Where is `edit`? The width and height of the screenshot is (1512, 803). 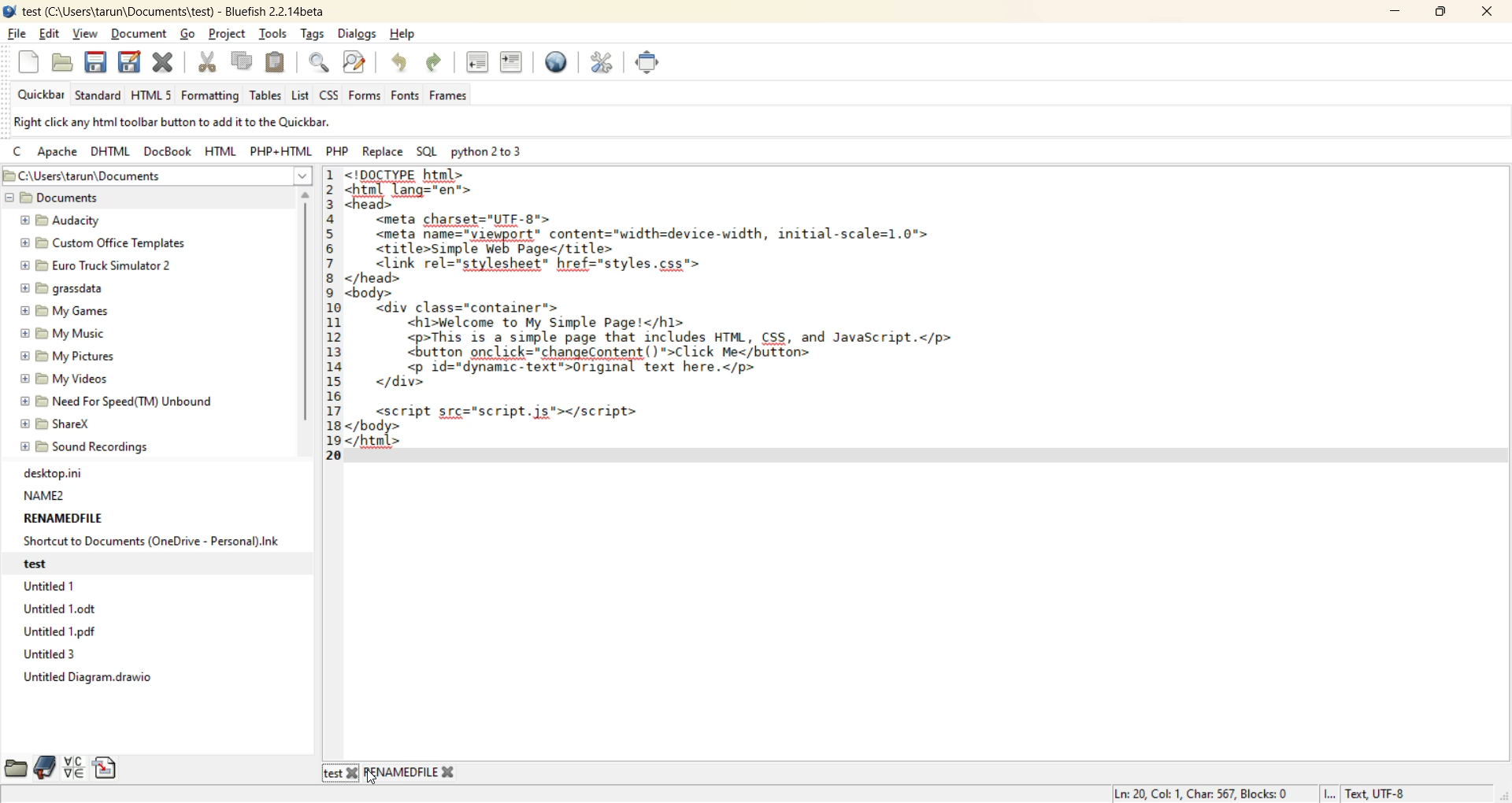 edit is located at coordinates (51, 35).